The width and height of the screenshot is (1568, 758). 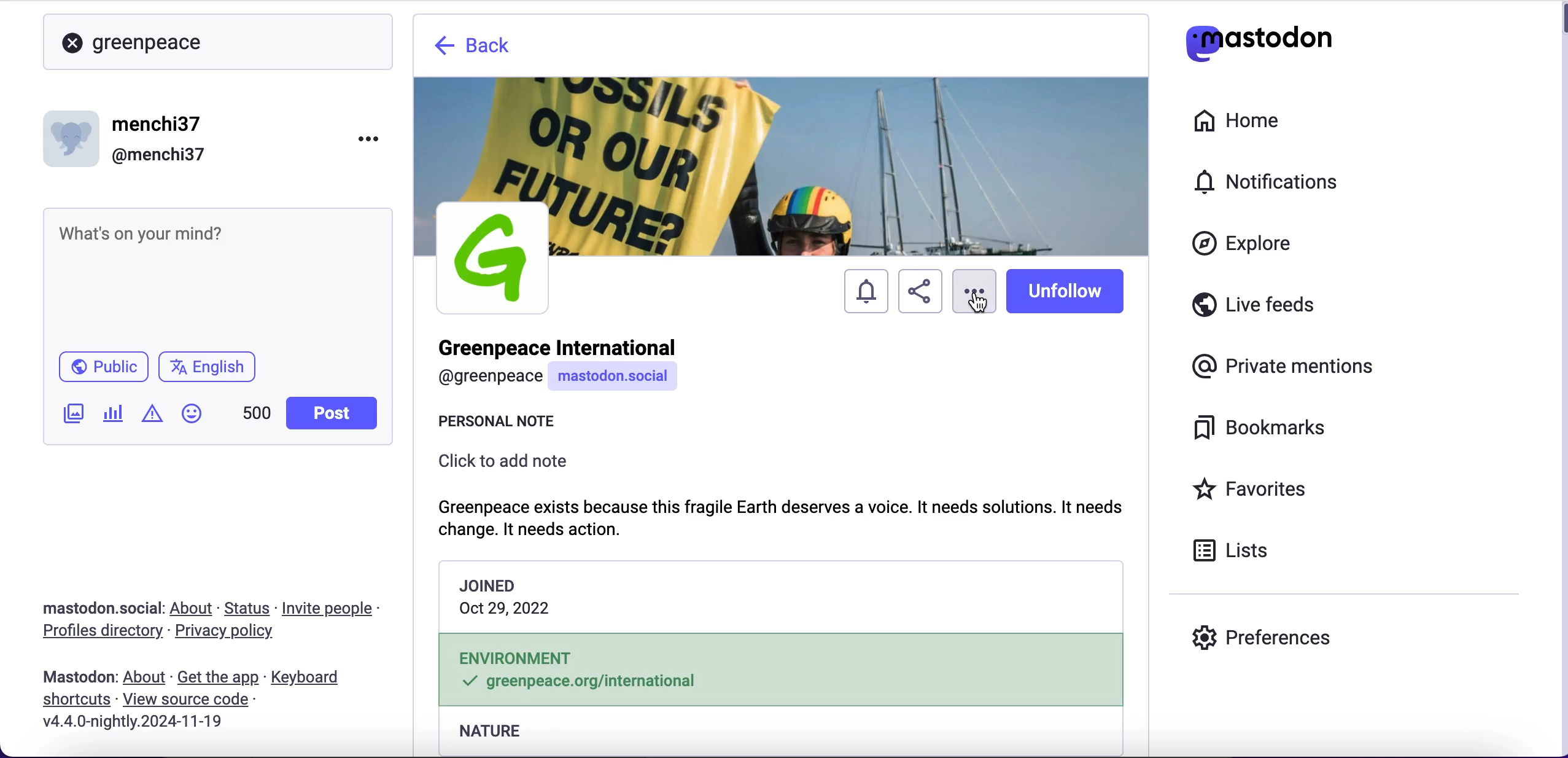 What do you see at coordinates (780, 672) in the screenshot?
I see `environment` at bounding box center [780, 672].